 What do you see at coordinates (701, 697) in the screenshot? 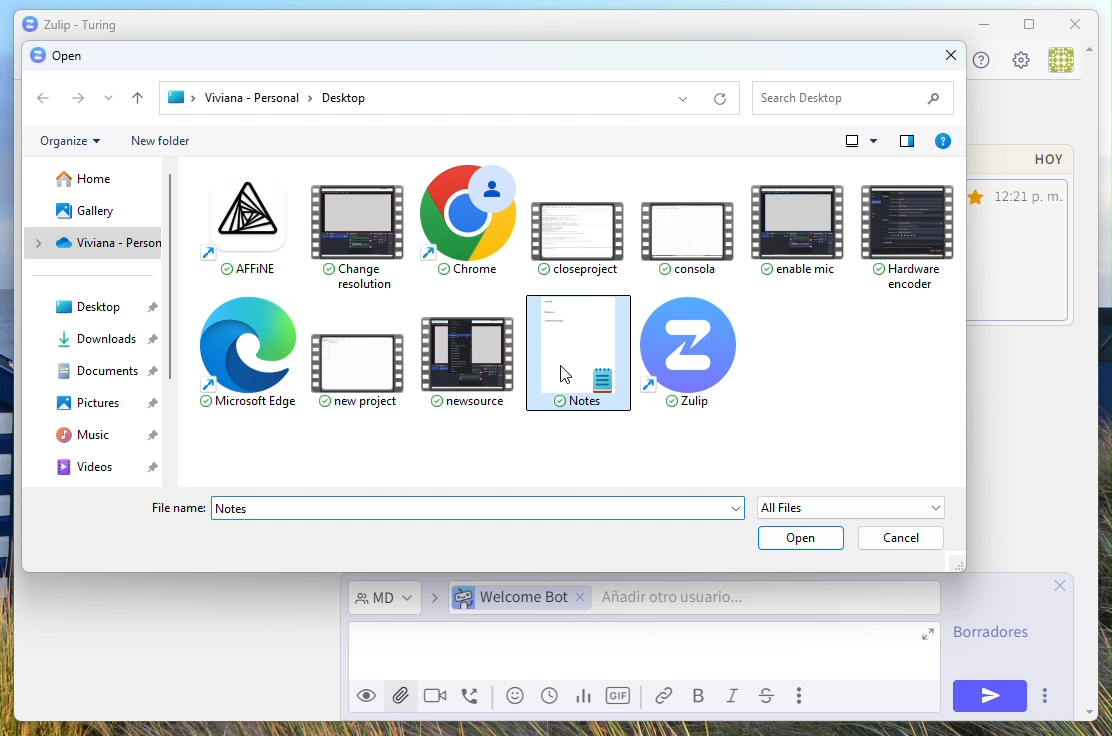
I see `bold` at bounding box center [701, 697].